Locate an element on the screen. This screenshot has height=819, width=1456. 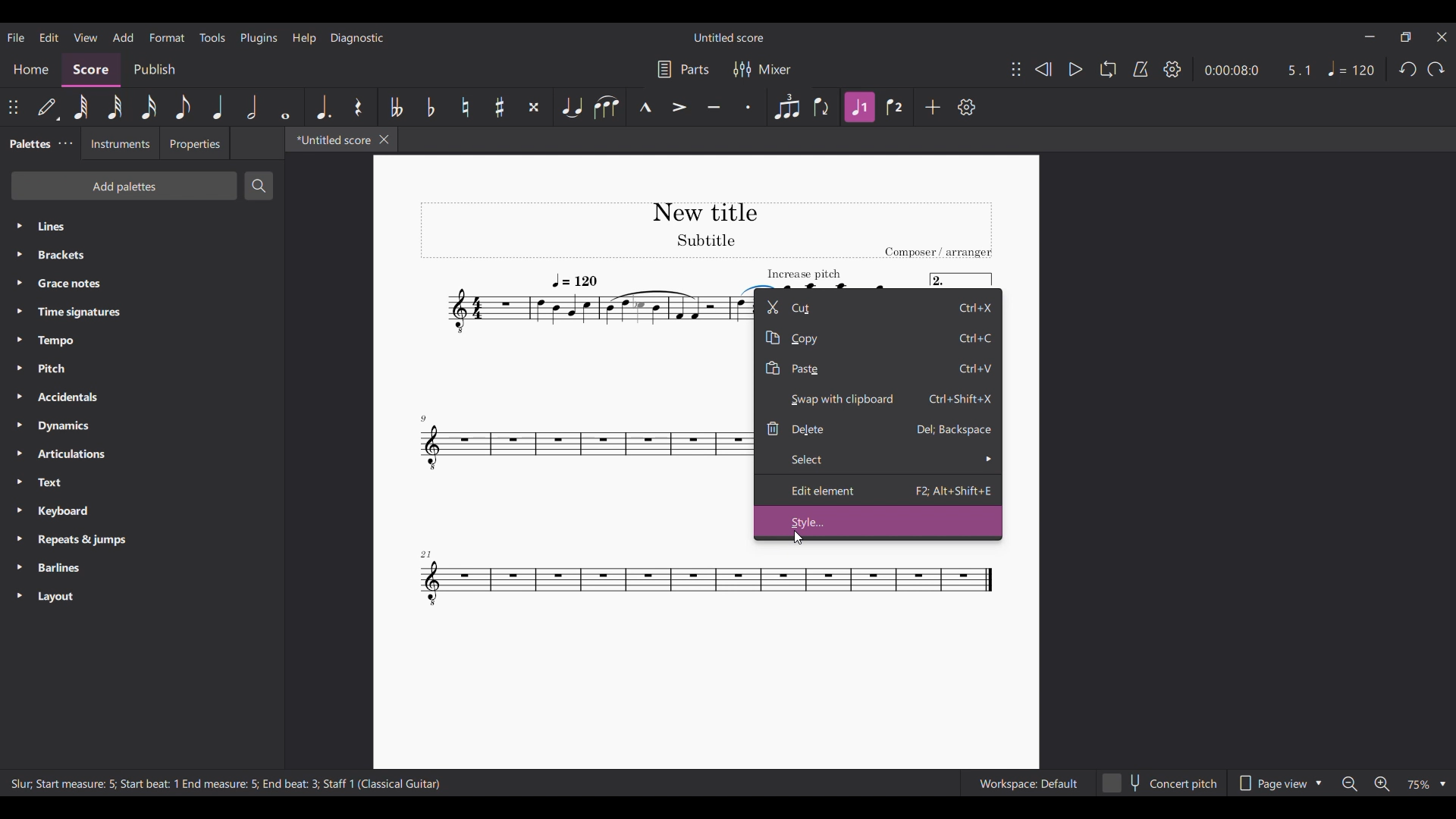
Untitled score is located at coordinates (729, 37).